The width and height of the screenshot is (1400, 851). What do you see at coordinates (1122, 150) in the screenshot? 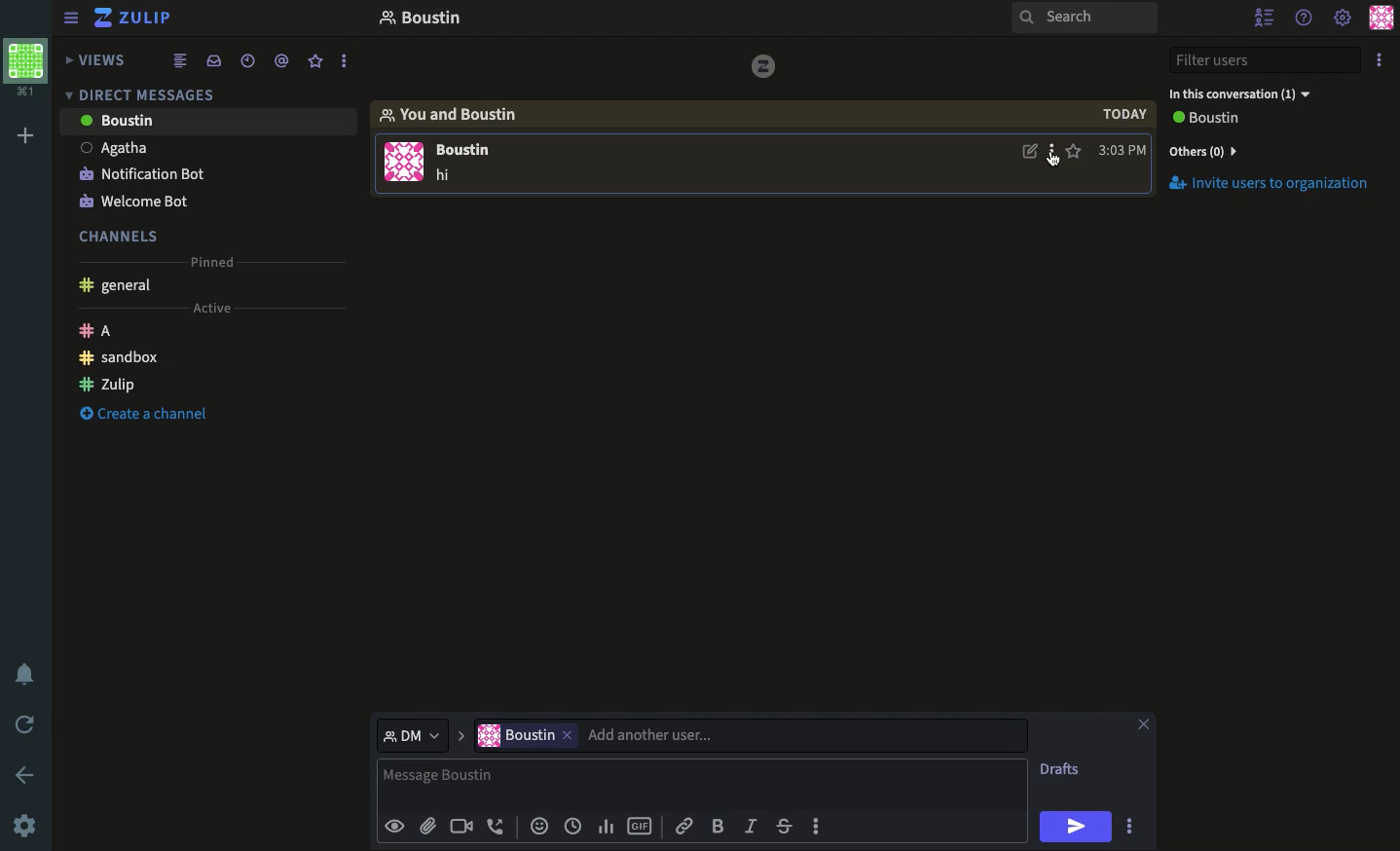
I see `Time` at bounding box center [1122, 150].